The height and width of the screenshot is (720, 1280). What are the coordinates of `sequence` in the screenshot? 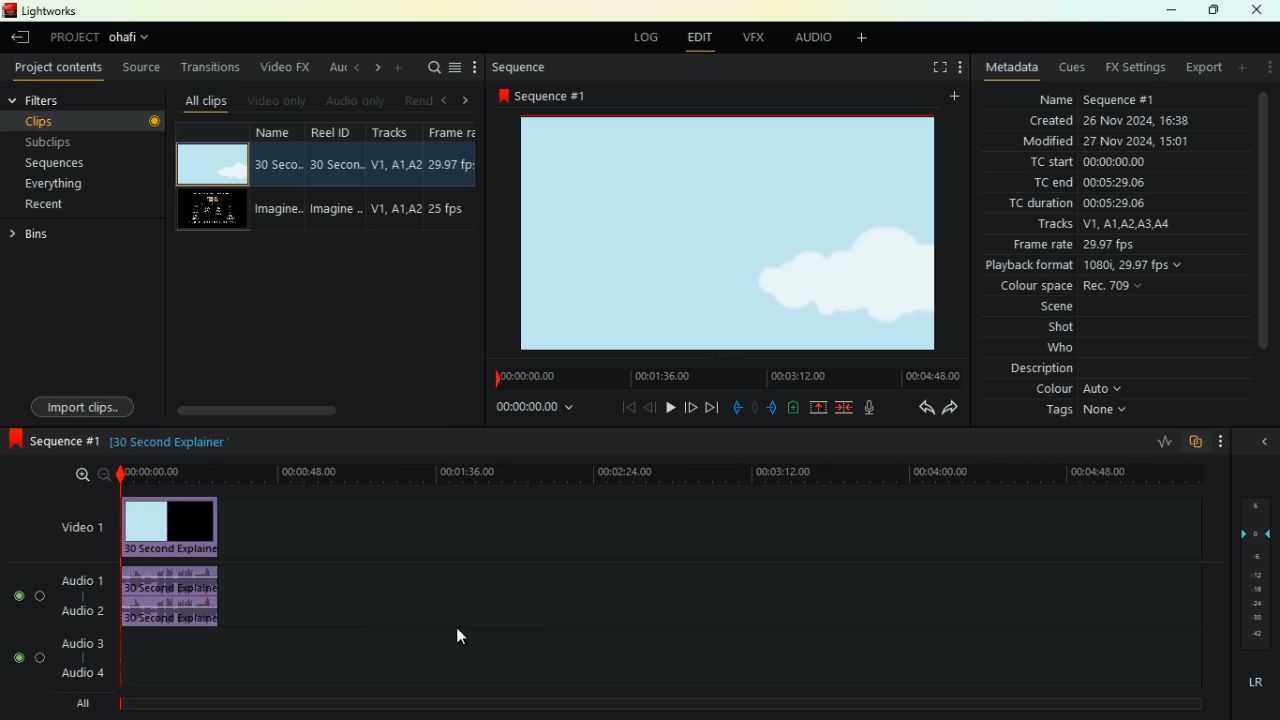 It's located at (519, 69).